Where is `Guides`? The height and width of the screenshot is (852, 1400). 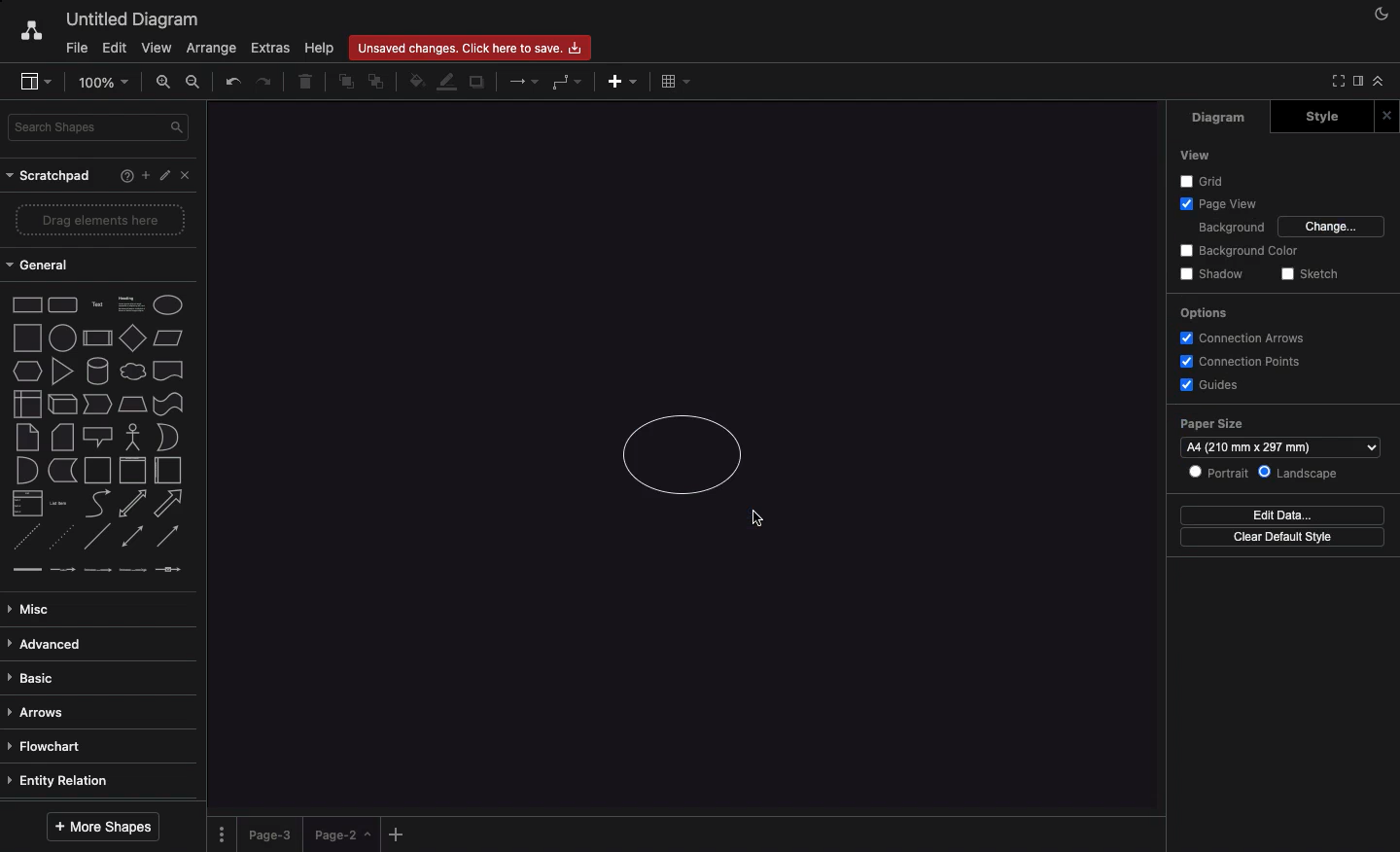
Guides is located at coordinates (1208, 385).